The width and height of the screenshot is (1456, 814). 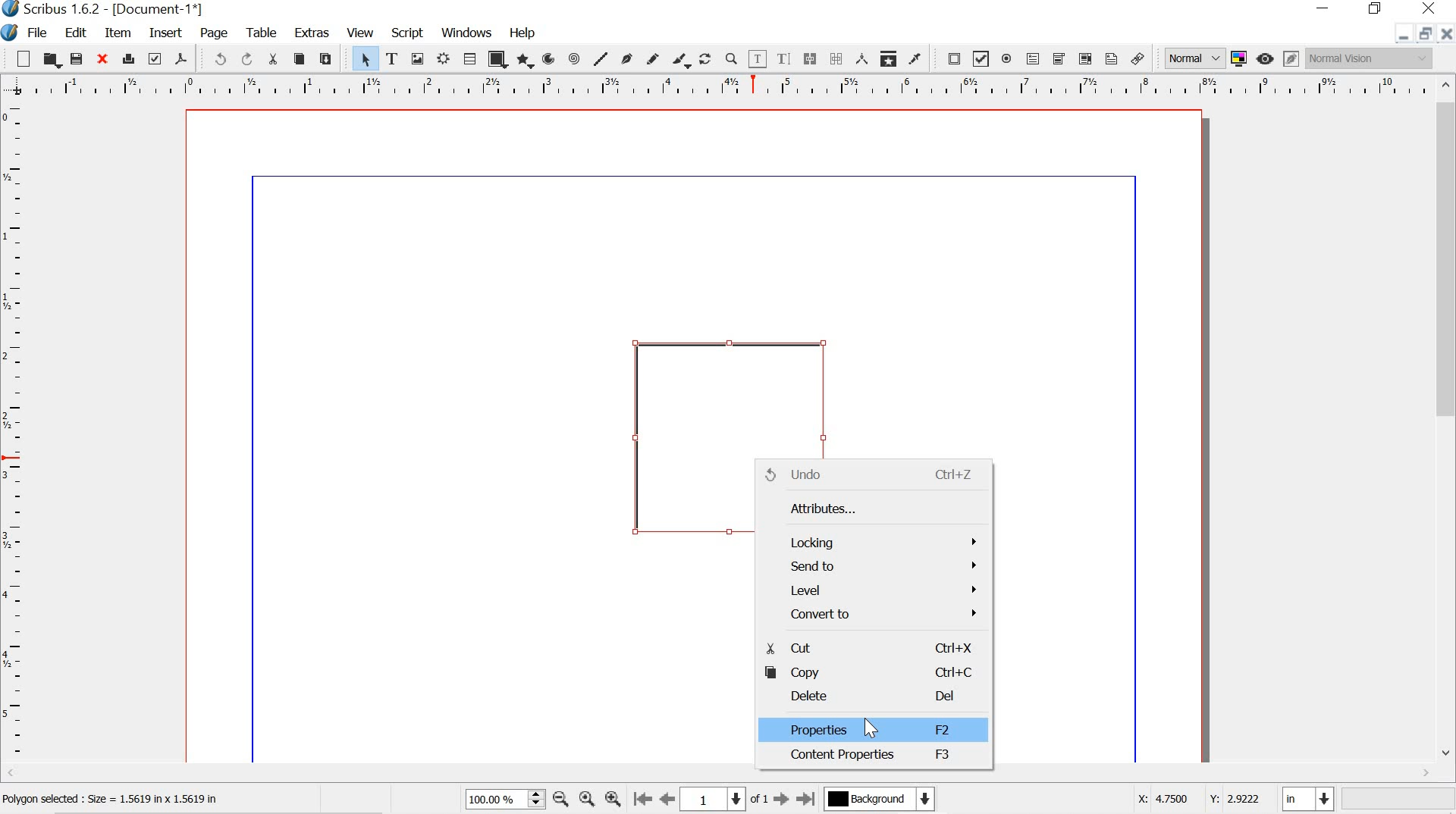 What do you see at coordinates (860, 59) in the screenshot?
I see `measurements` at bounding box center [860, 59].